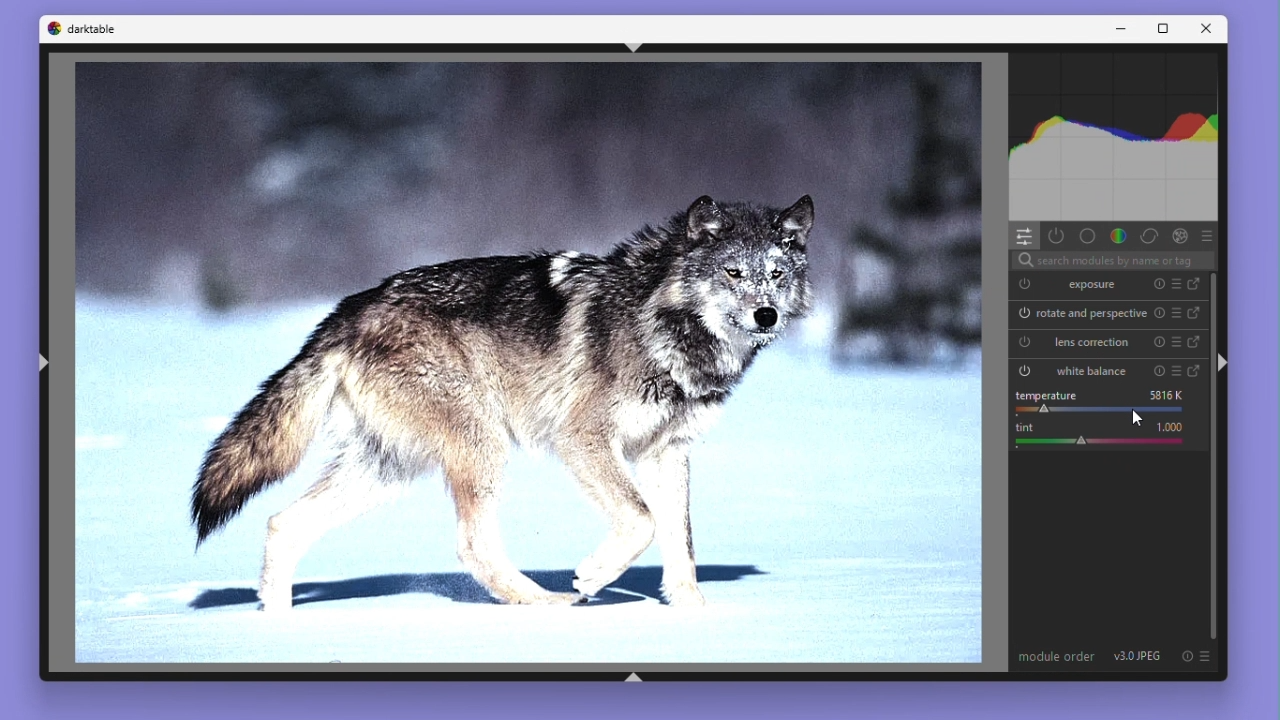 The width and height of the screenshot is (1280, 720). What do you see at coordinates (1156, 285) in the screenshot?
I see `Reset` at bounding box center [1156, 285].